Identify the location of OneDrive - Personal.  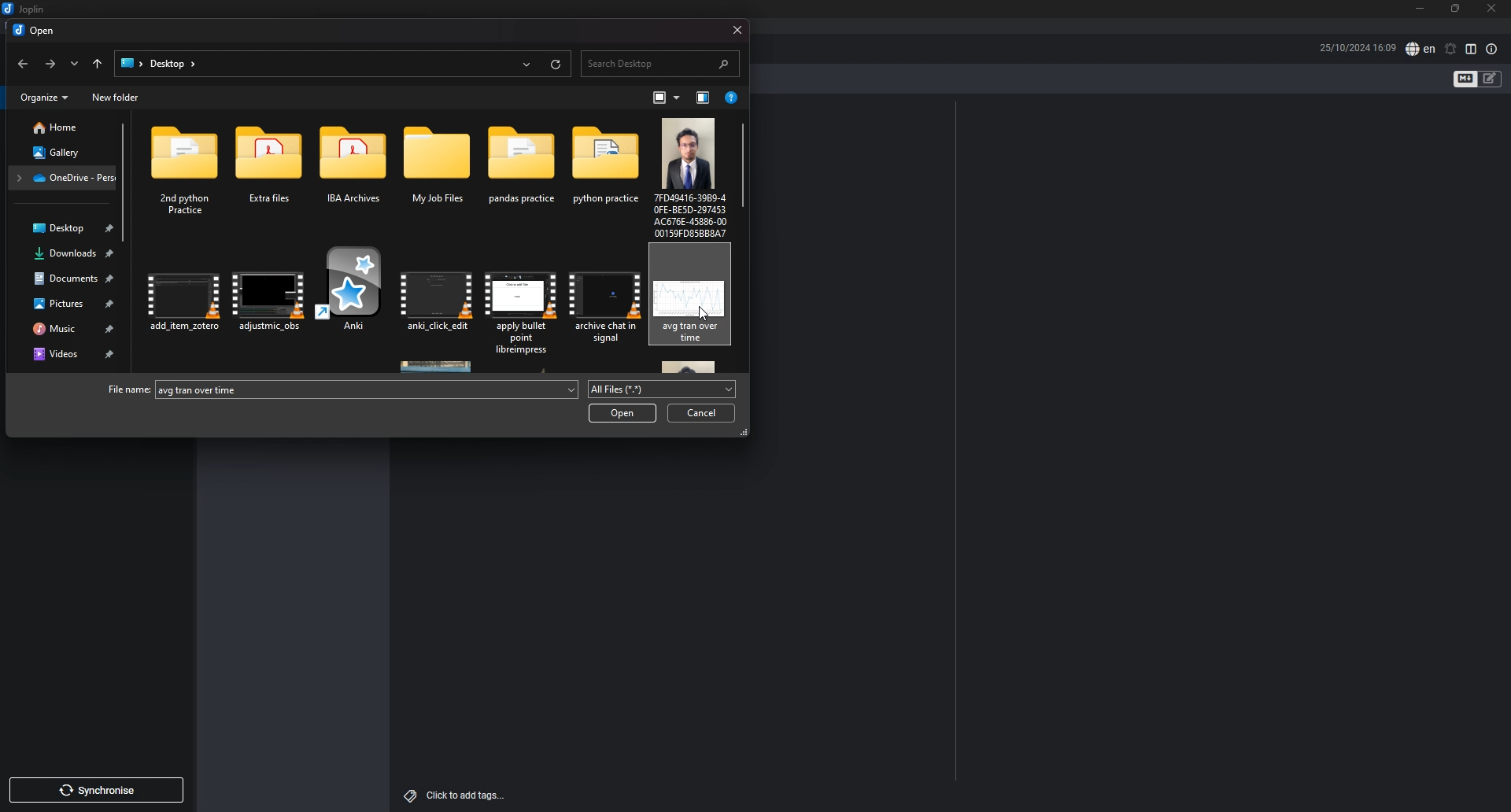
(63, 178).